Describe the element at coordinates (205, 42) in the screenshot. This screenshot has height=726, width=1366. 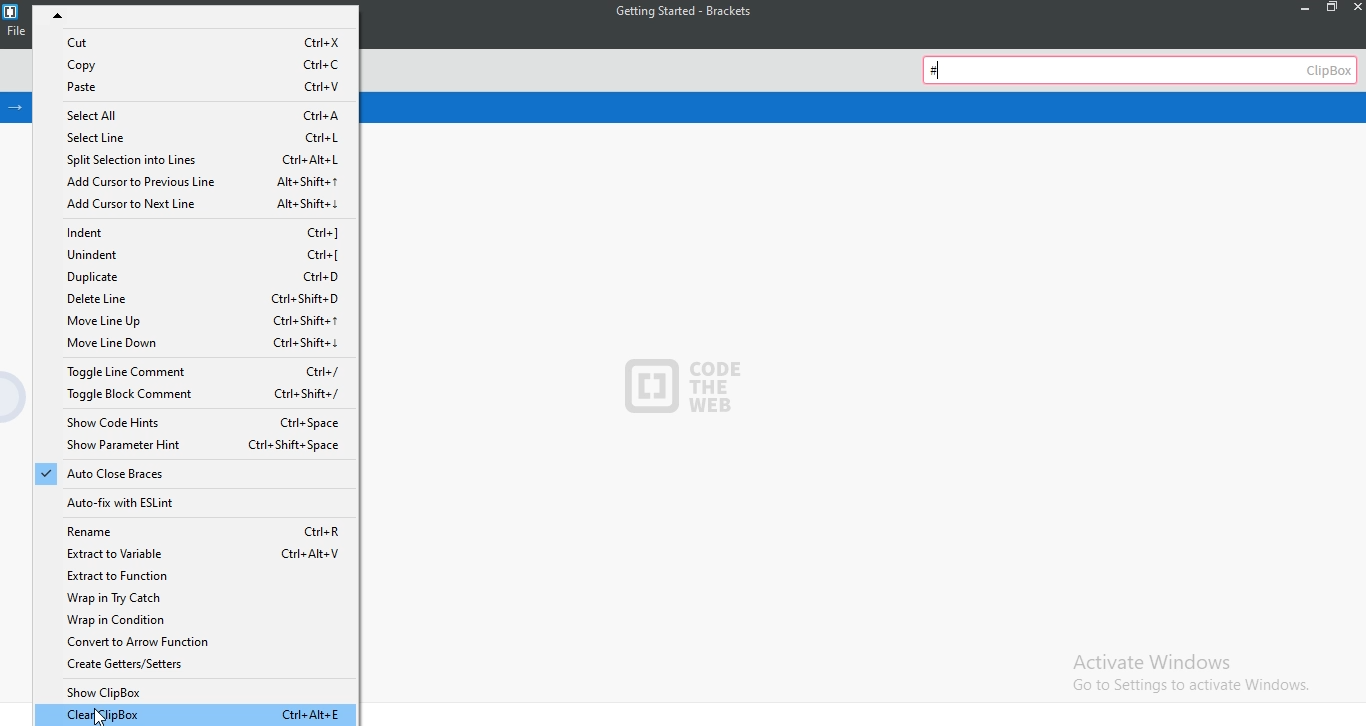
I see `Cut` at that location.